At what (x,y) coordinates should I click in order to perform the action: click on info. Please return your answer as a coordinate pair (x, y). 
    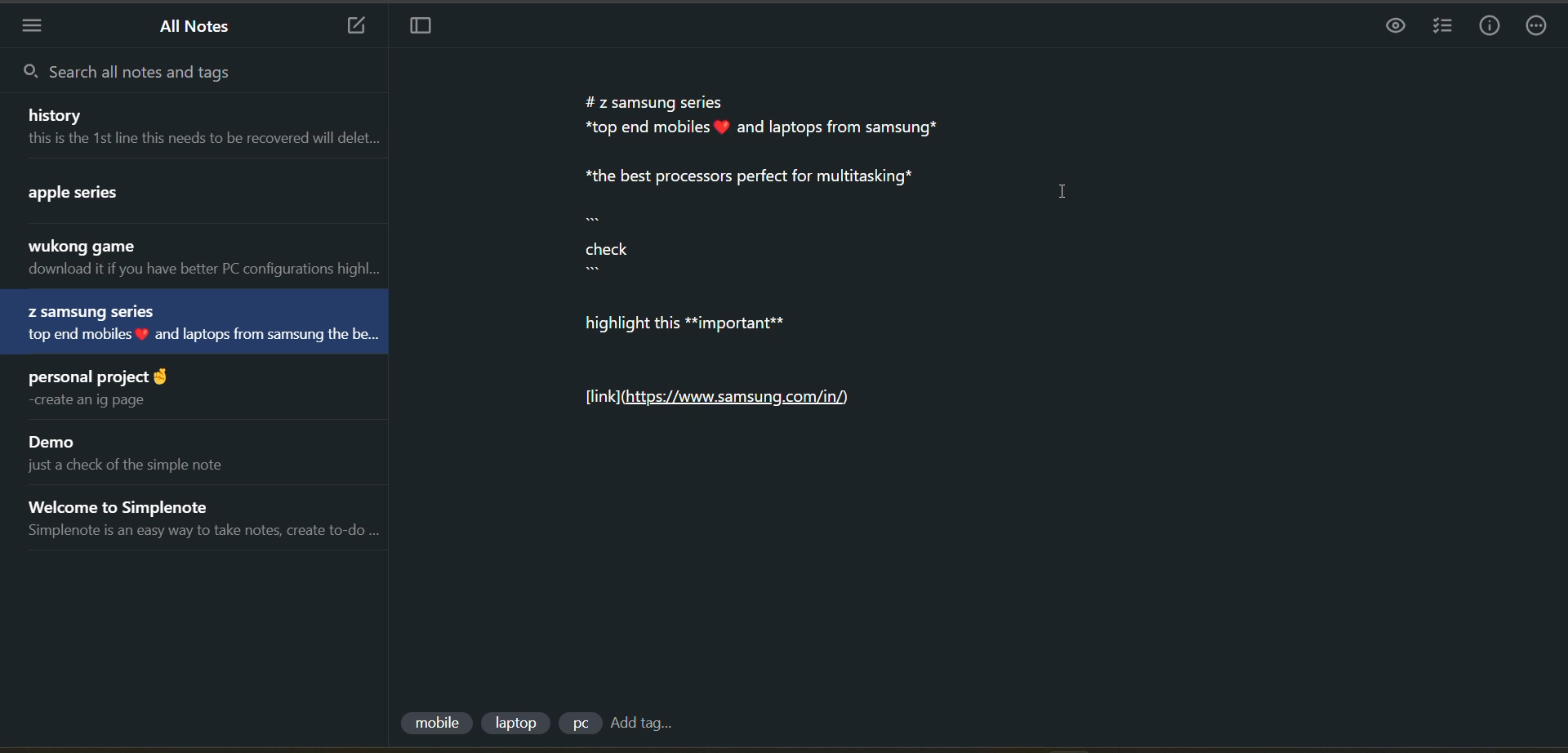
    Looking at the image, I should click on (1488, 27).